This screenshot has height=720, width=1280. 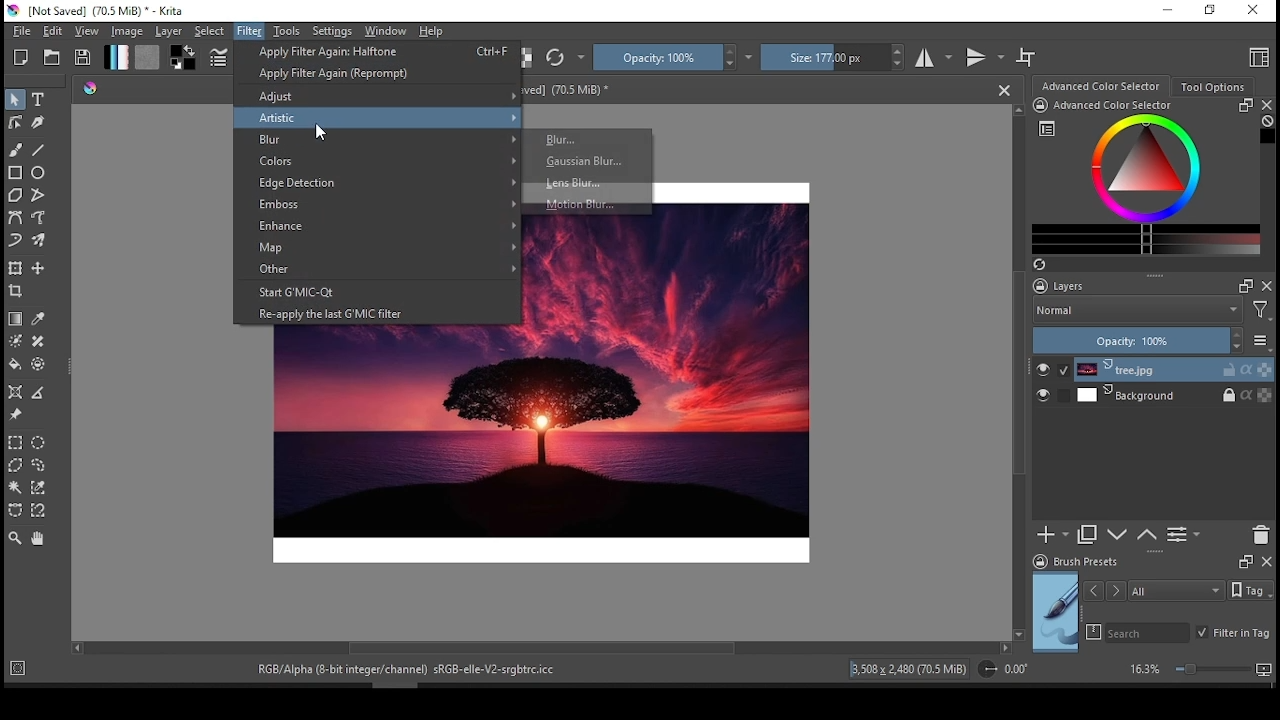 I want to click on bezier path tool, so click(x=16, y=218).